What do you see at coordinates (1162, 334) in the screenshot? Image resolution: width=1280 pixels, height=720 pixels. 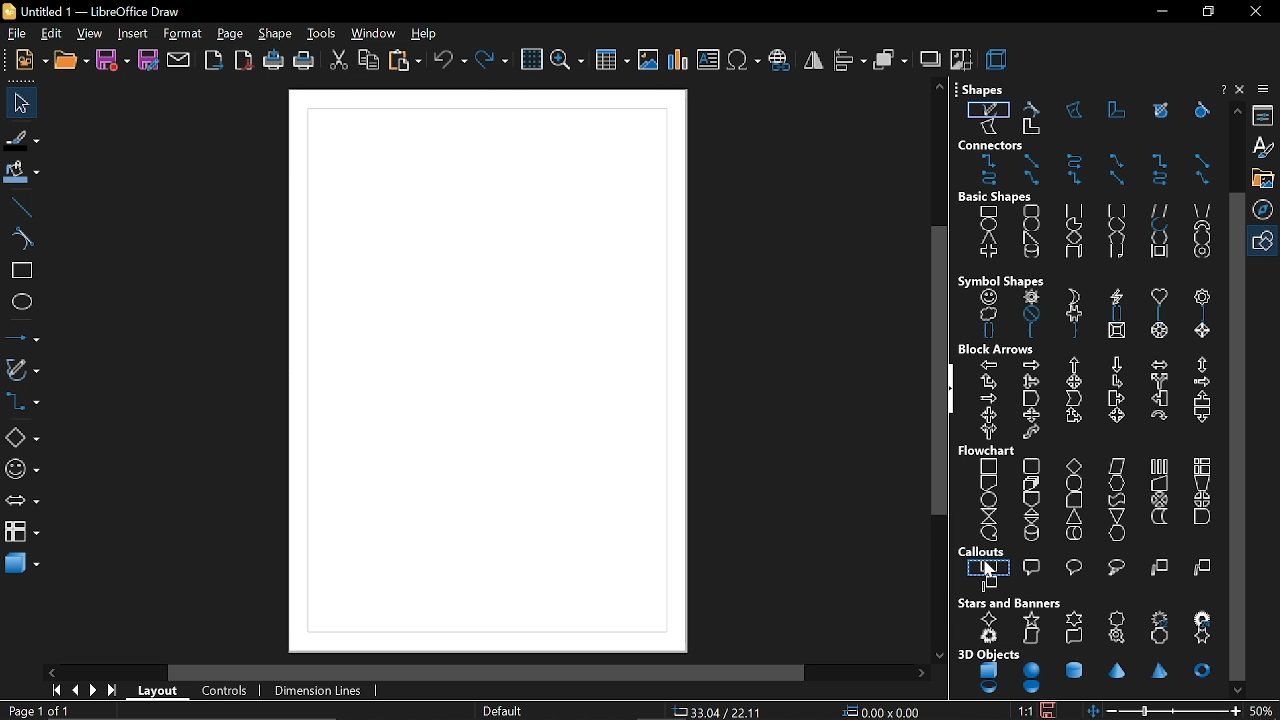 I see `octagon bevel` at bounding box center [1162, 334].